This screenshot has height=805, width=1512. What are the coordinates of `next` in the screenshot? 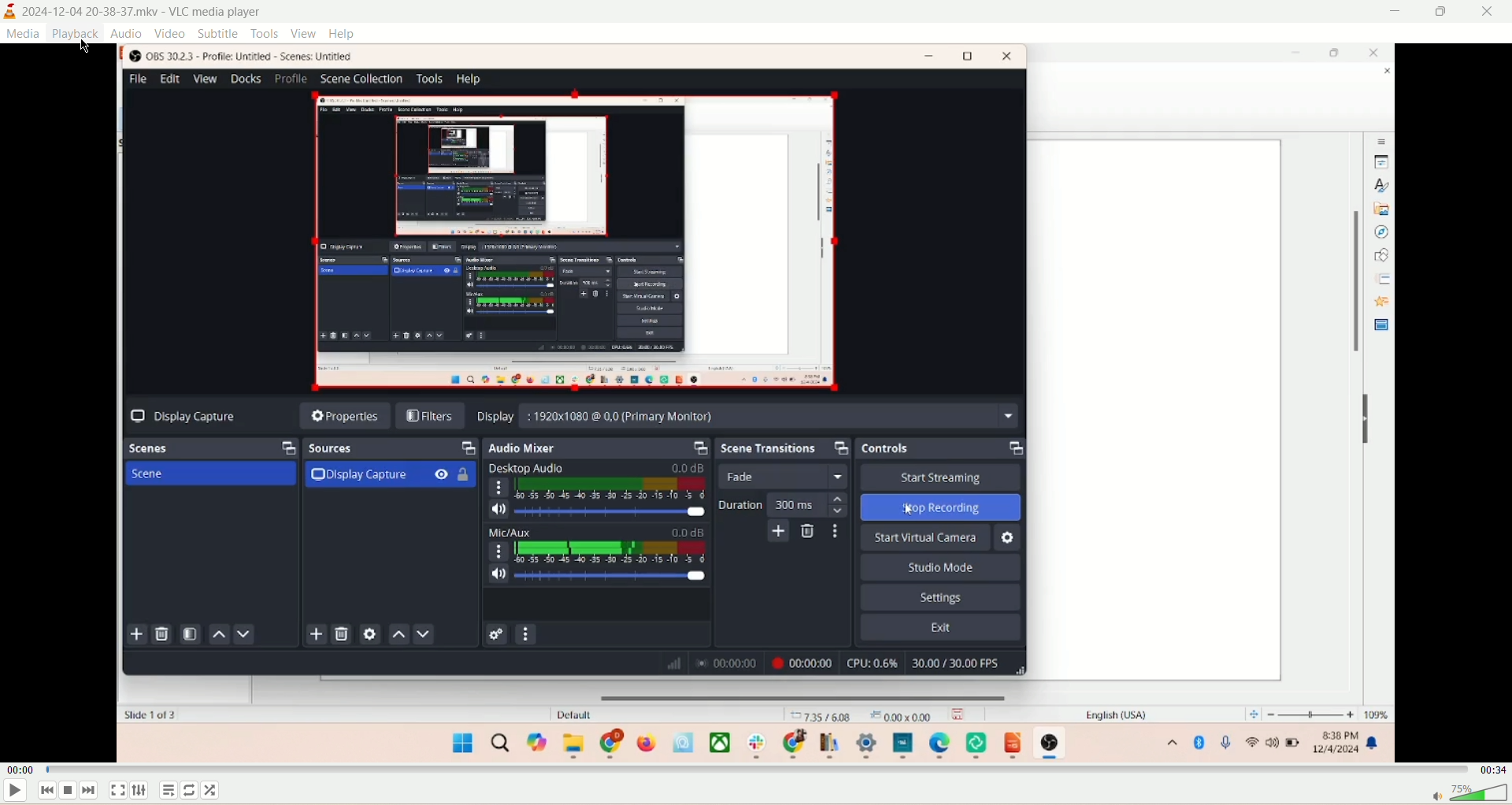 It's located at (91, 791).